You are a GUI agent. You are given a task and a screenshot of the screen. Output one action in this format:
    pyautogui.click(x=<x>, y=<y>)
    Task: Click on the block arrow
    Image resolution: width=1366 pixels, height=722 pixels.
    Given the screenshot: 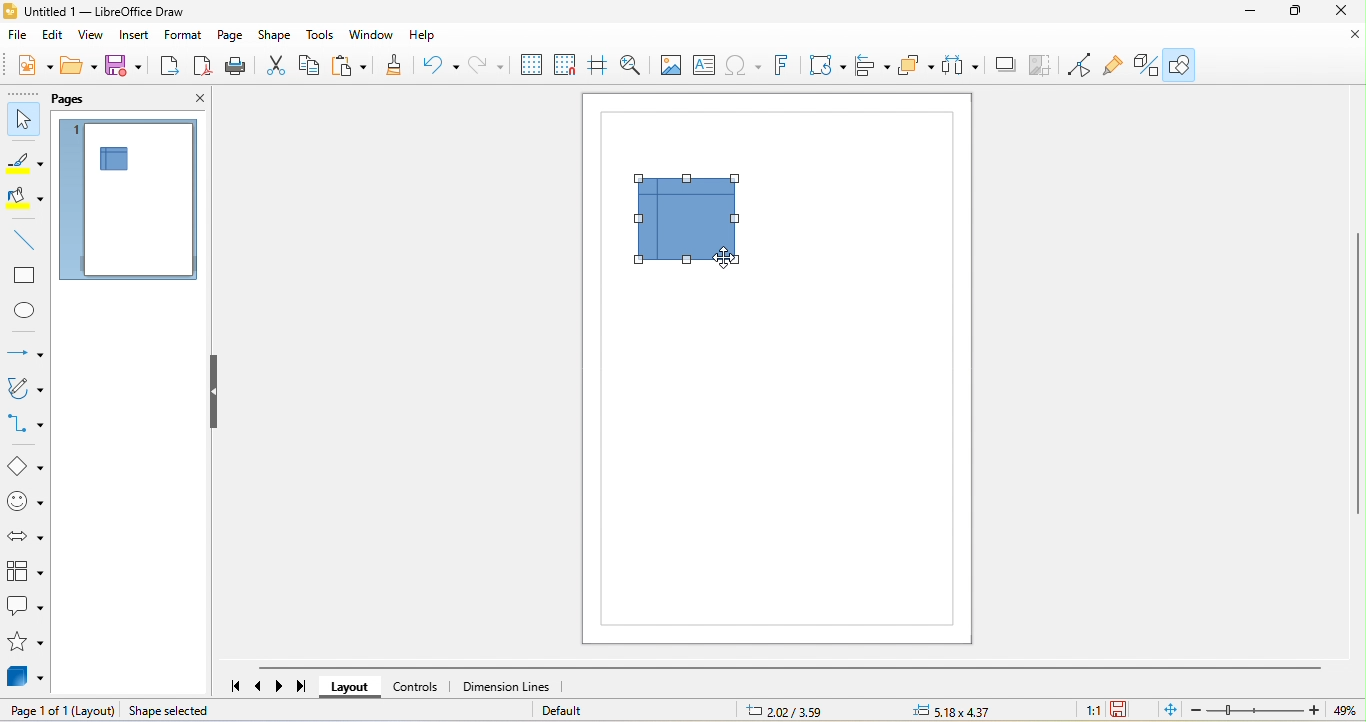 What is the action you would take?
    pyautogui.click(x=23, y=536)
    